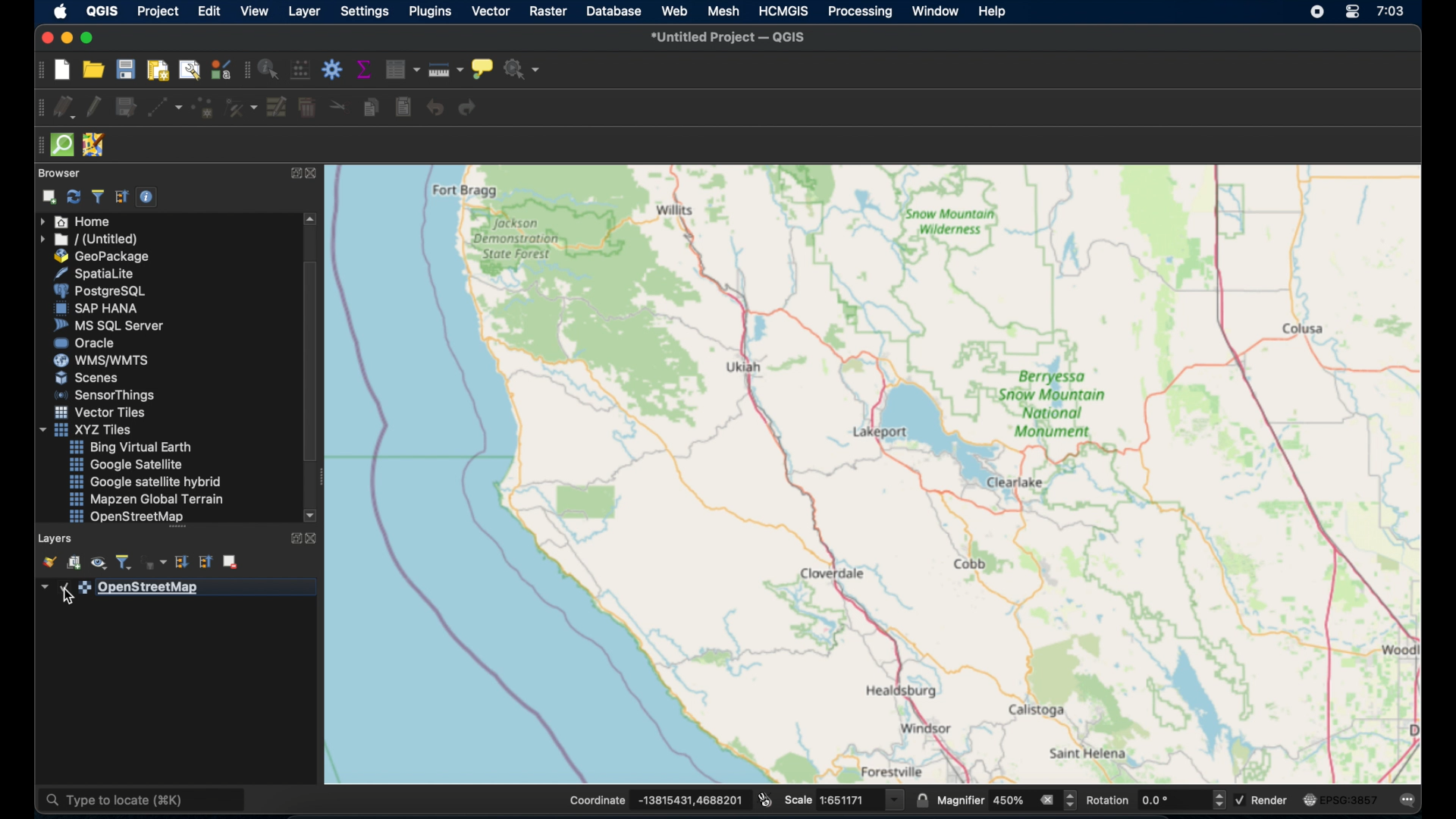  What do you see at coordinates (124, 517) in the screenshot?
I see `openstreetmap` at bounding box center [124, 517].